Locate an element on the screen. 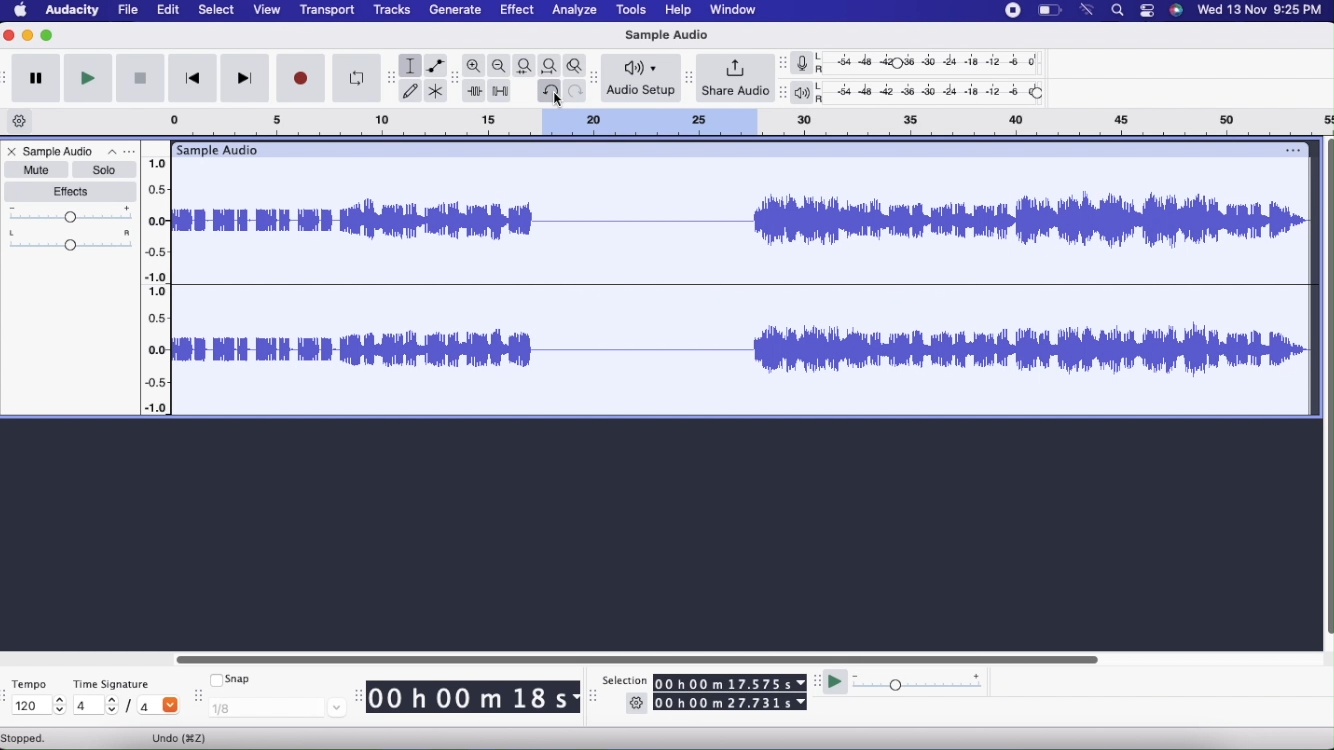  Sample Audio is located at coordinates (670, 35).